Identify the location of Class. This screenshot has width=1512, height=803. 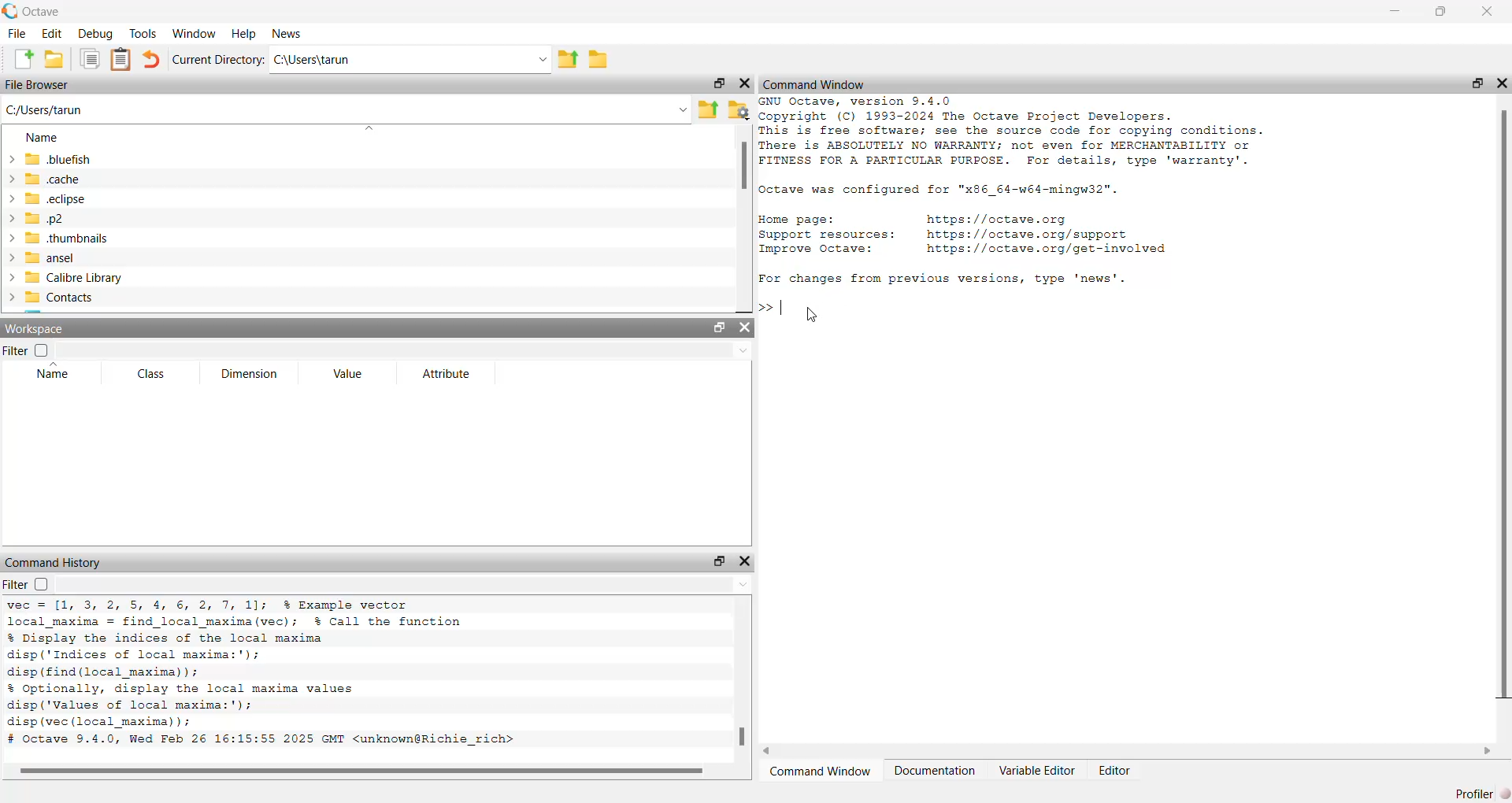
(150, 375).